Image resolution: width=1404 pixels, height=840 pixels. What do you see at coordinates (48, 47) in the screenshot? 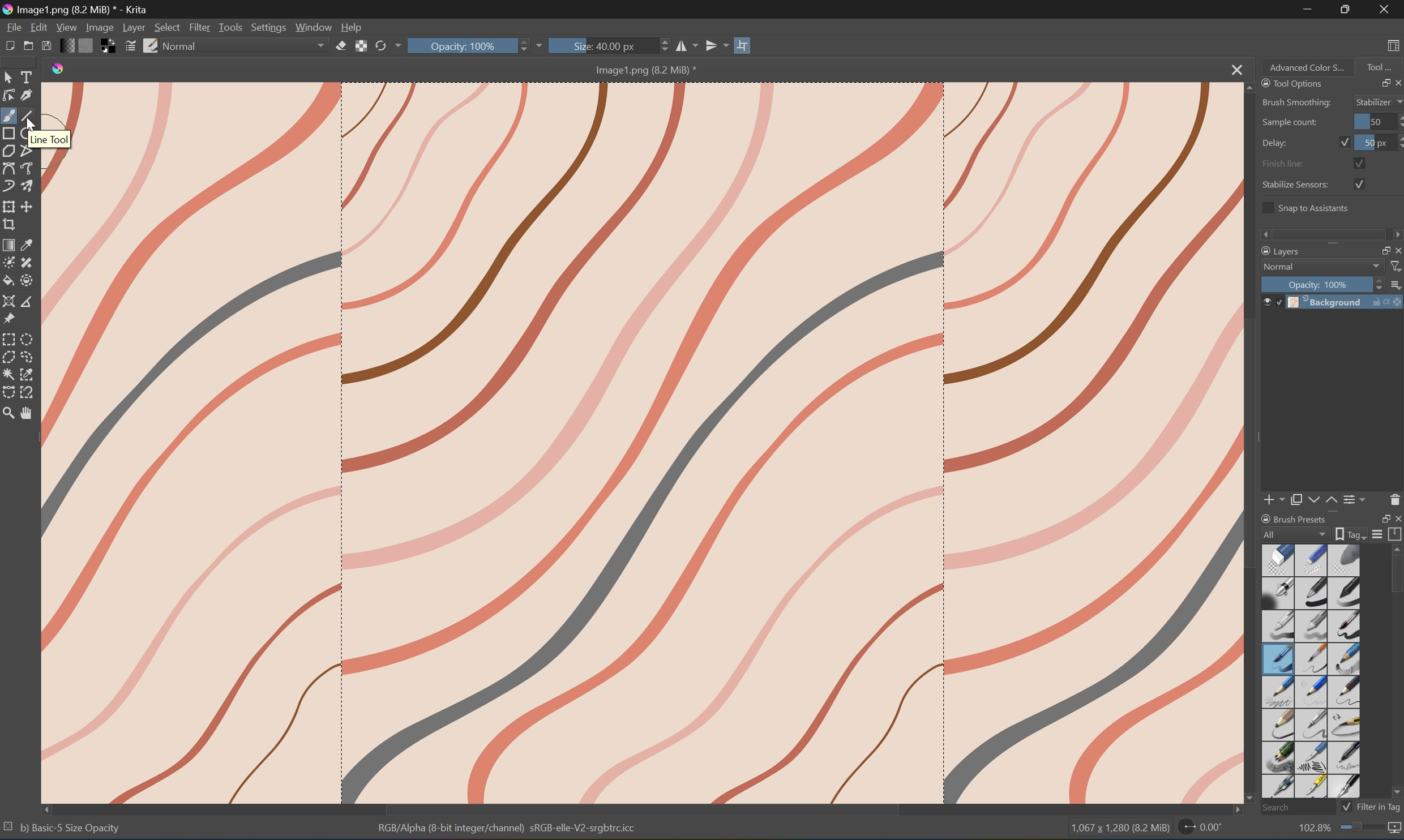
I see `Save` at bounding box center [48, 47].